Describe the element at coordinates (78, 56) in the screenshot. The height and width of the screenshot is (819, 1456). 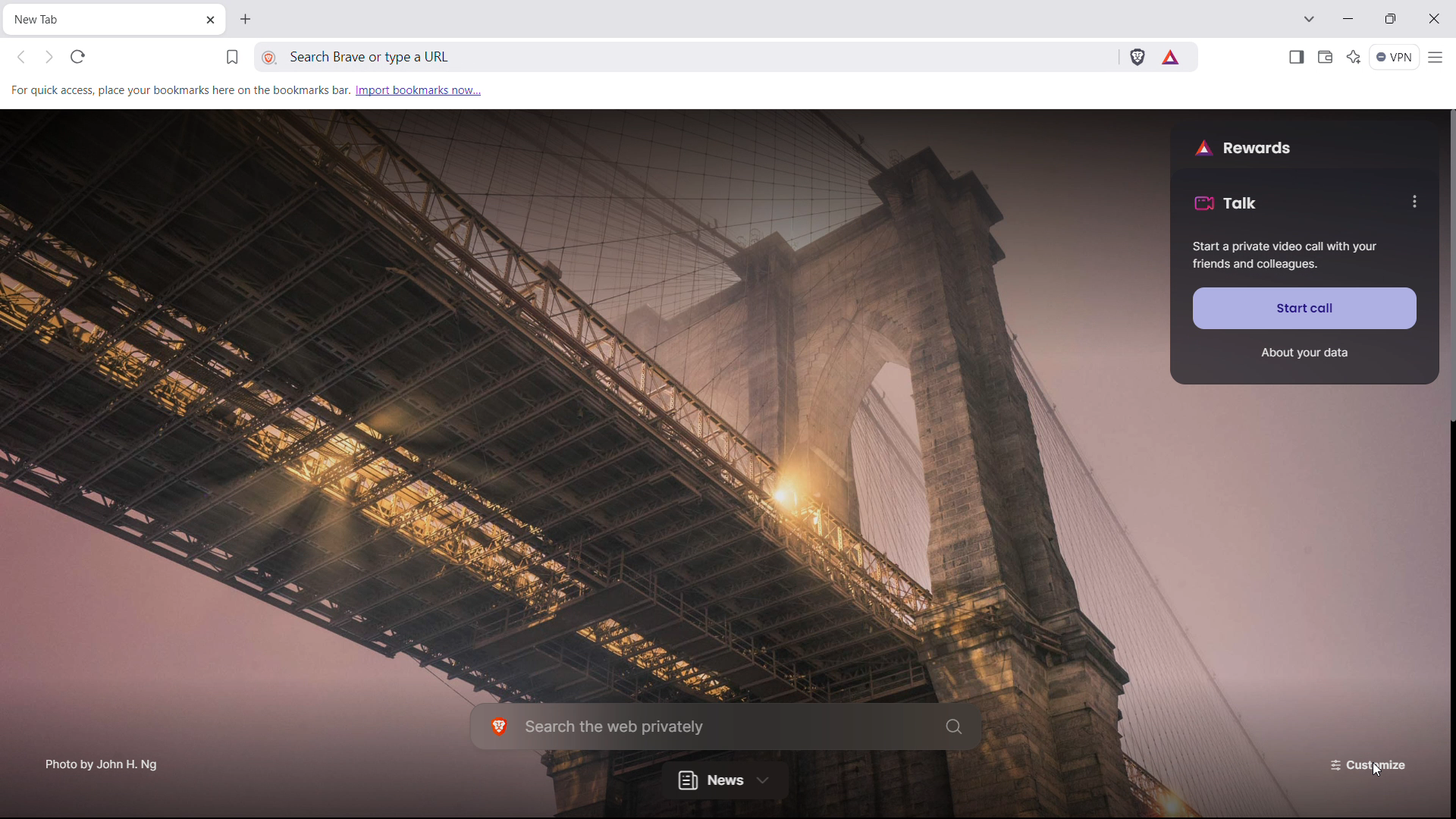
I see `reload this page` at that location.